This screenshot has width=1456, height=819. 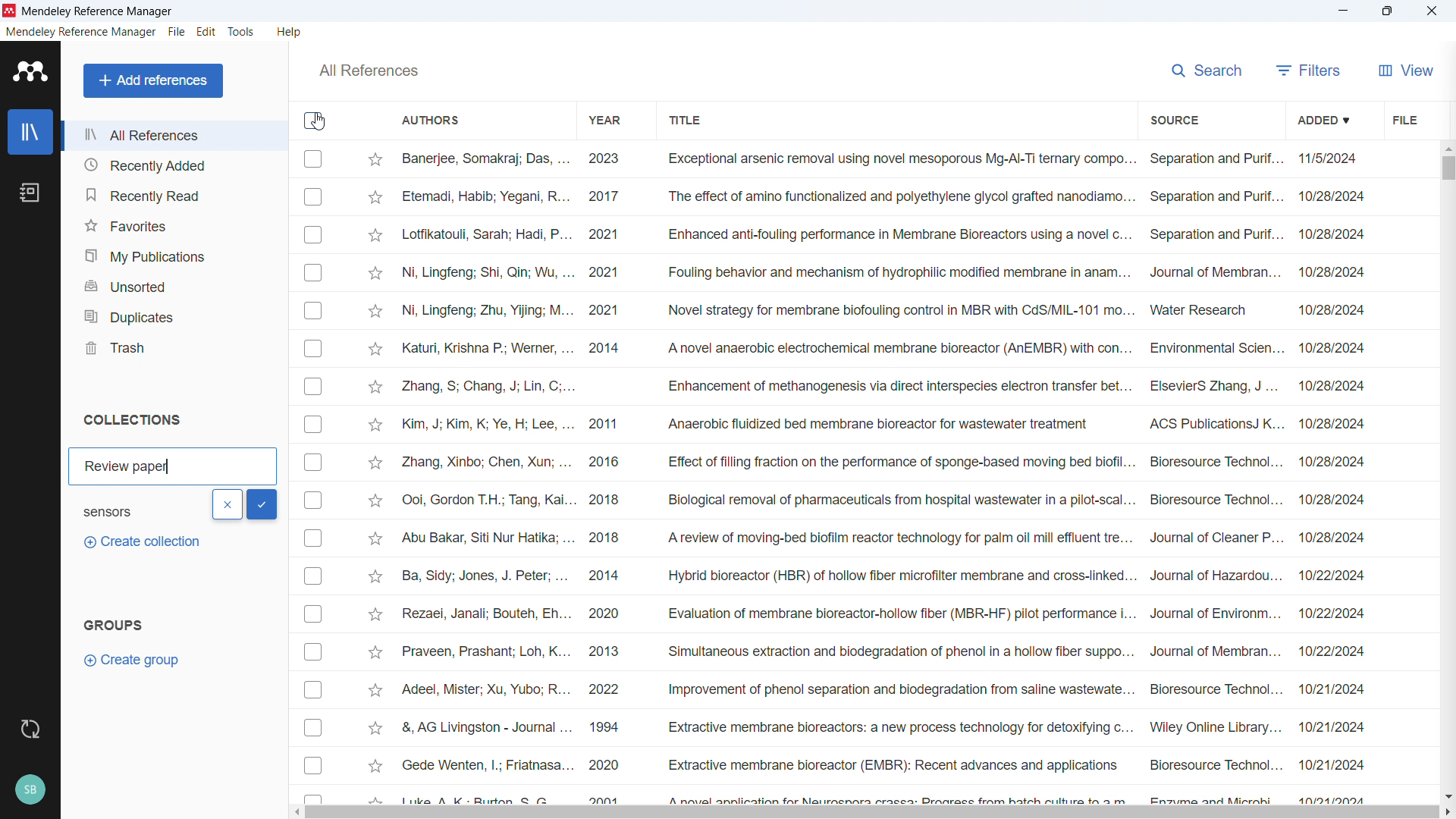 What do you see at coordinates (883, 234) in the screenshot?
I see `Lotfikatouli, Sarah; Hadi, P... 2021 Enhanced anti-fouling performance in Membrane Bioreactors using a novel c... Separation and Purif... 10/28/2024` at bounding box center [883, 234].